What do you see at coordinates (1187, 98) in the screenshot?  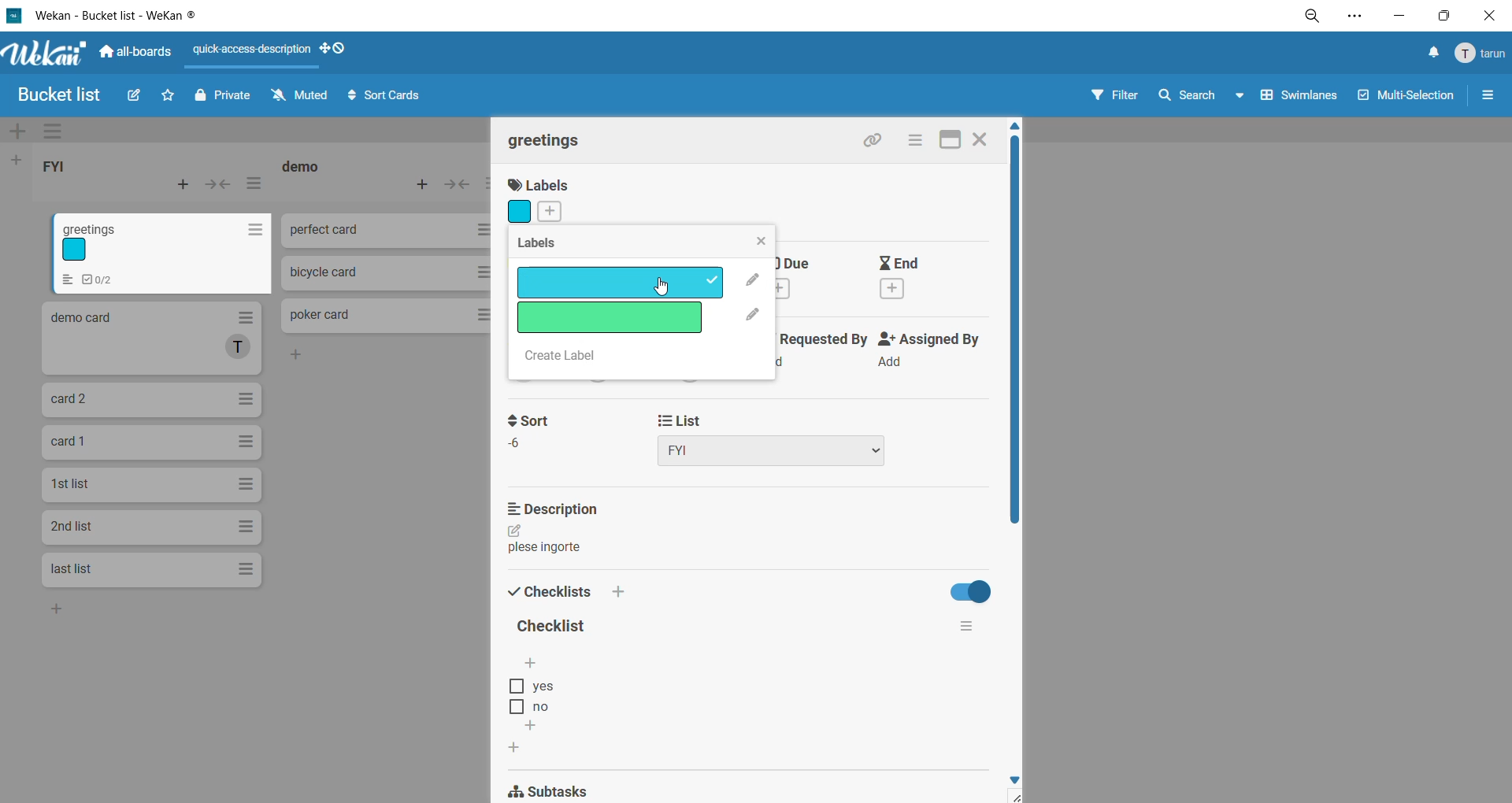 I see `search` at bounding box center [1187, 98].